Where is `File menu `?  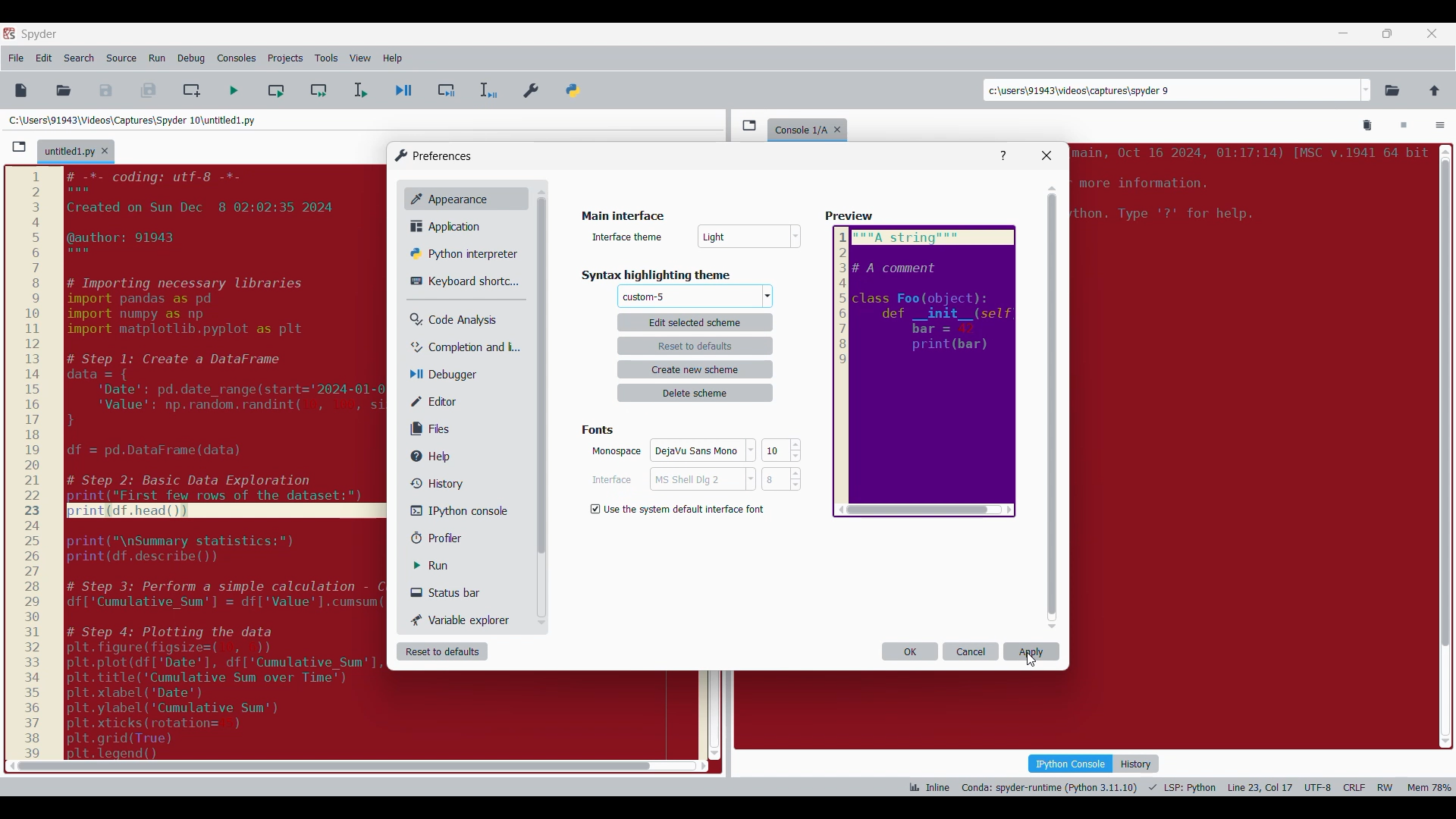
File menu  is located at coordinates (16, 58).